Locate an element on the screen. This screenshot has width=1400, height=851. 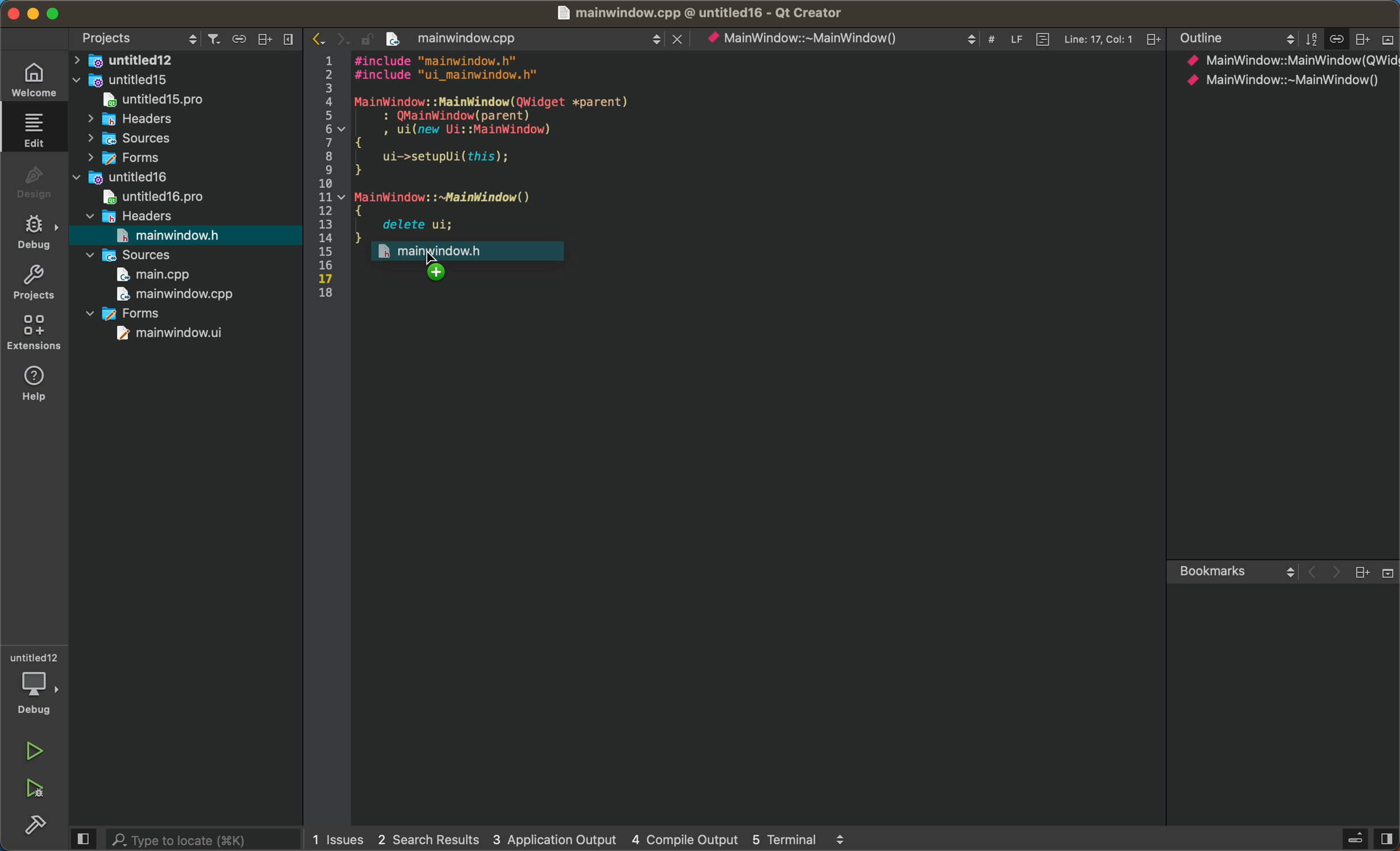
on drag is located at coordinates (474, 252).